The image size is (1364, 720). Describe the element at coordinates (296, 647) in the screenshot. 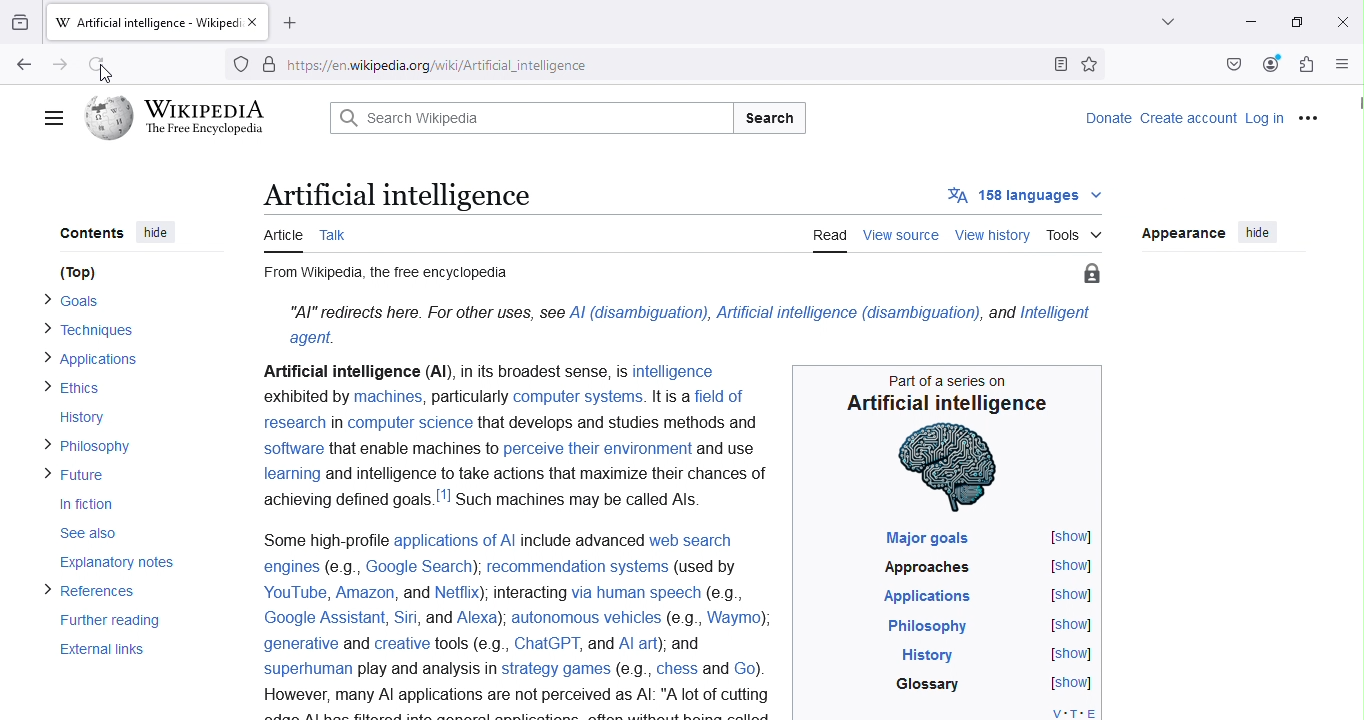

I see `generative` at that location.